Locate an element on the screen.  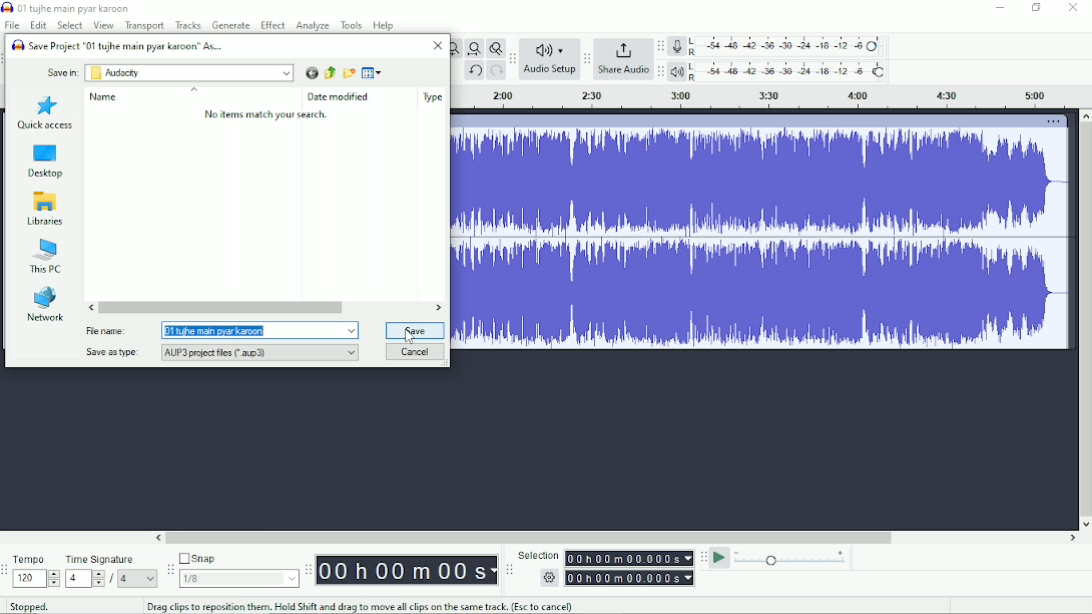
Play-at-speed is located at coordinates (720, 558).